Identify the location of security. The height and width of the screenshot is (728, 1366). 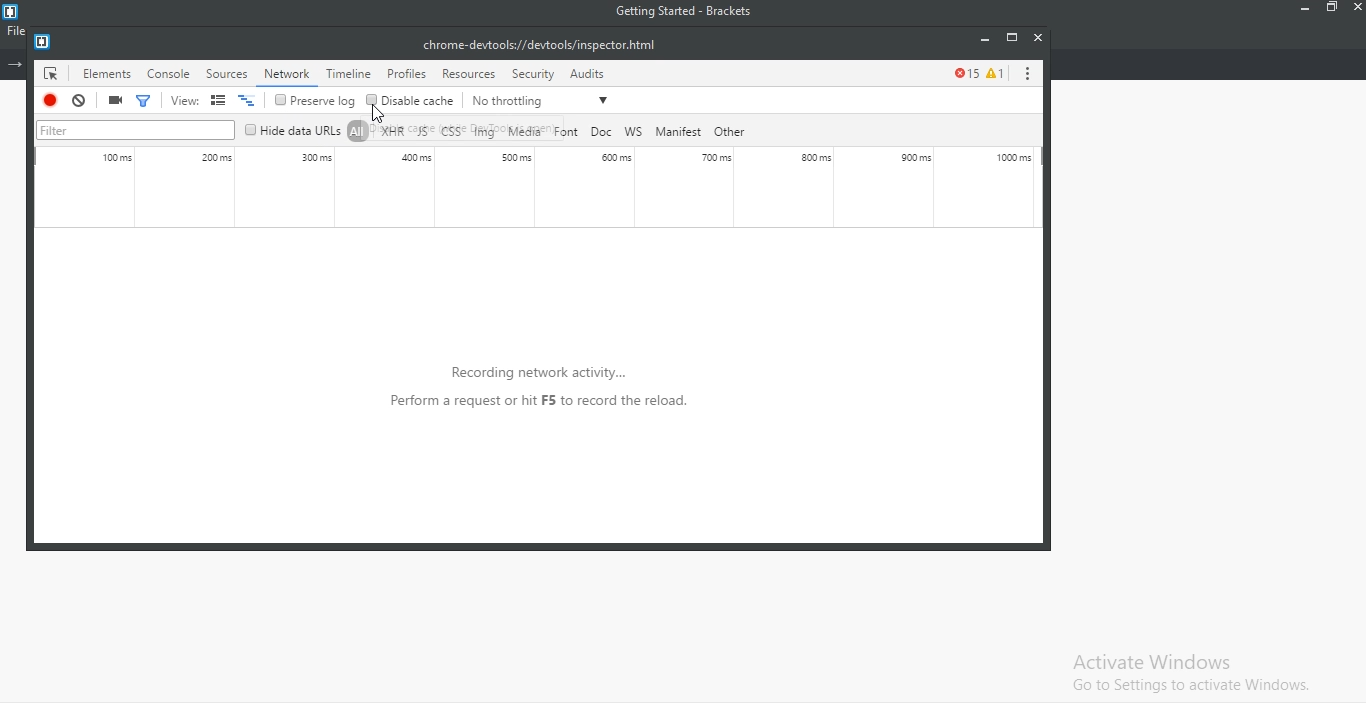
(531, 75).